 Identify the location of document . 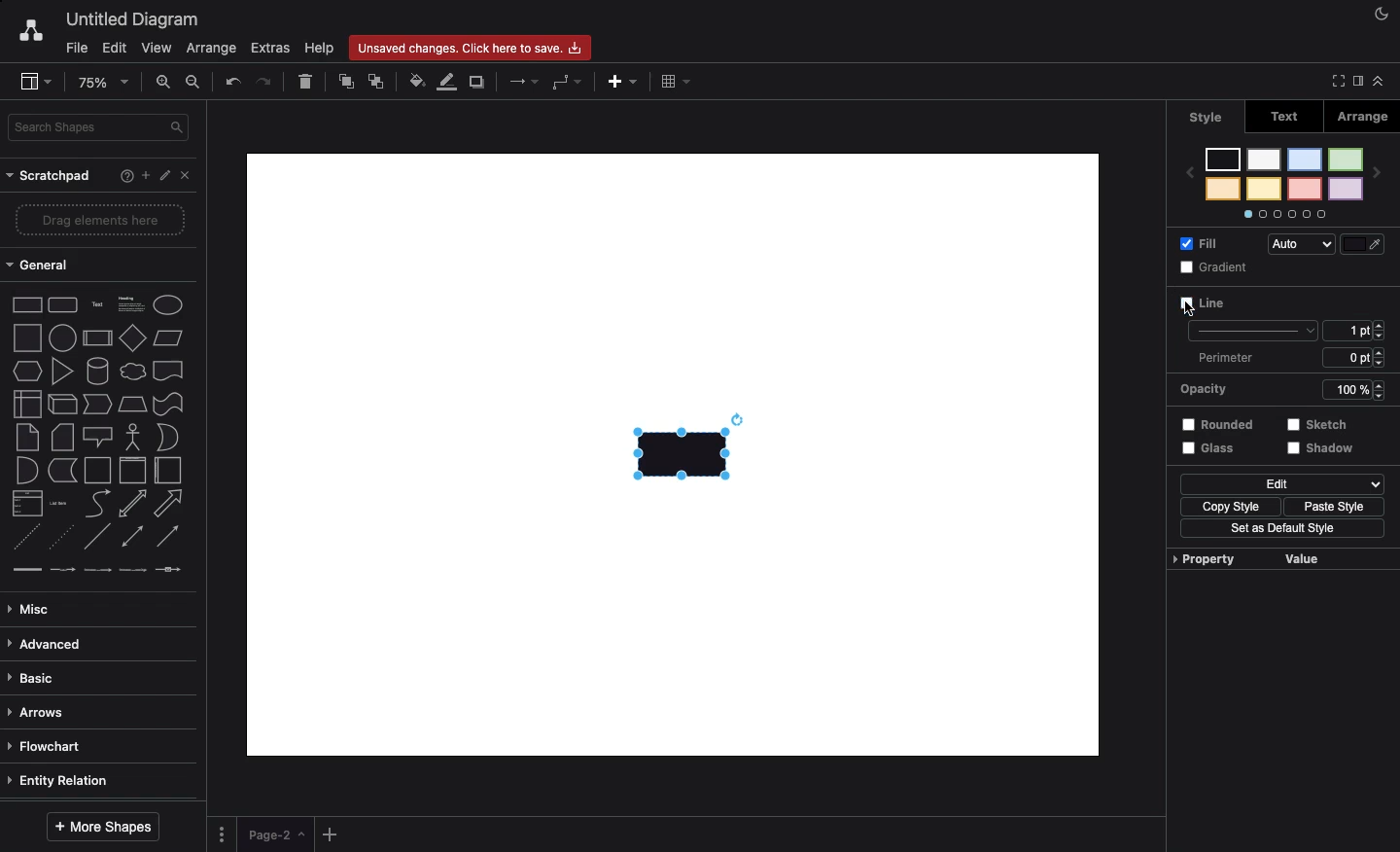
(168, 371).